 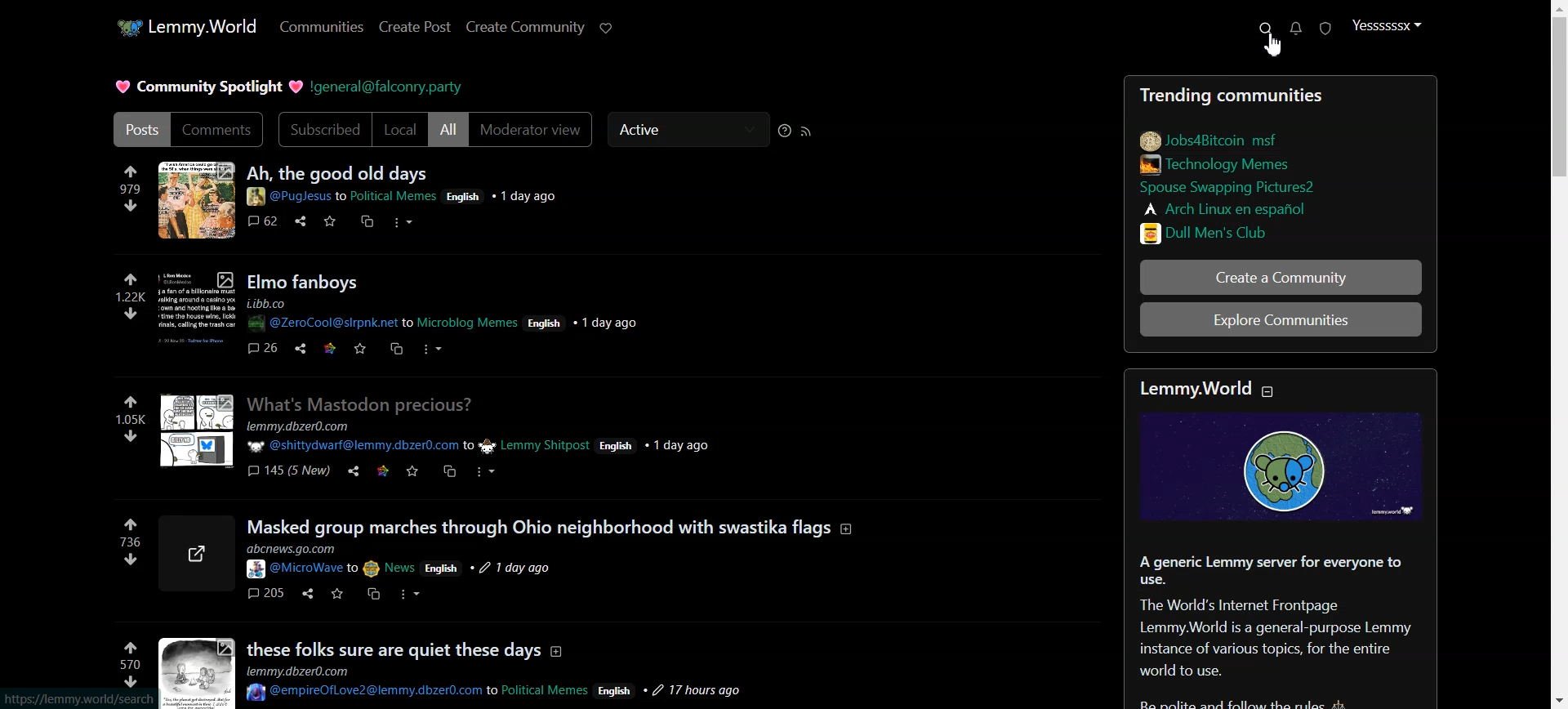 I want to click on upvote, so click(x=128, y=278).